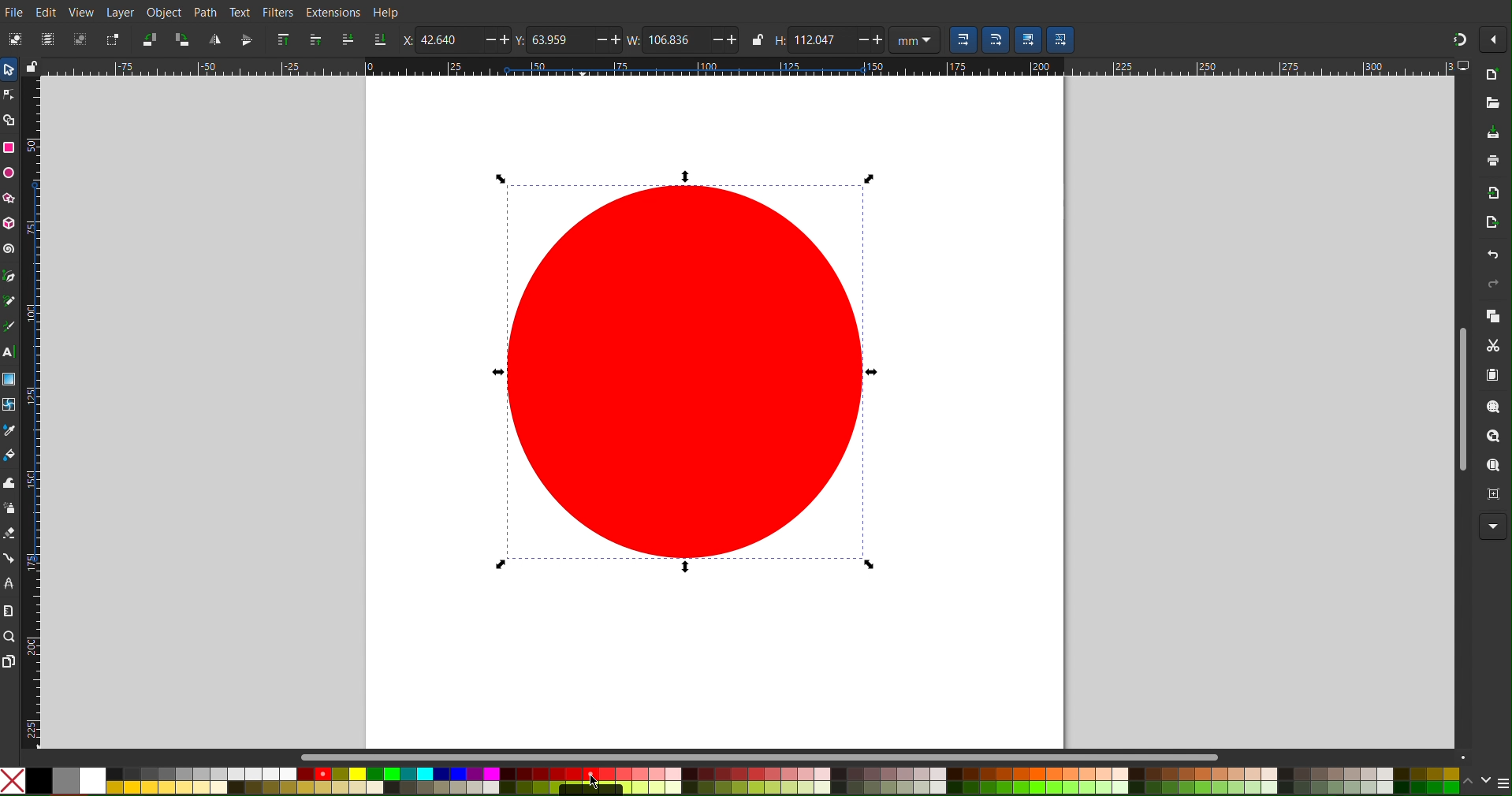  Describe the element at coordinates (9, 69) in the screenshot. I see `Select` at that location.